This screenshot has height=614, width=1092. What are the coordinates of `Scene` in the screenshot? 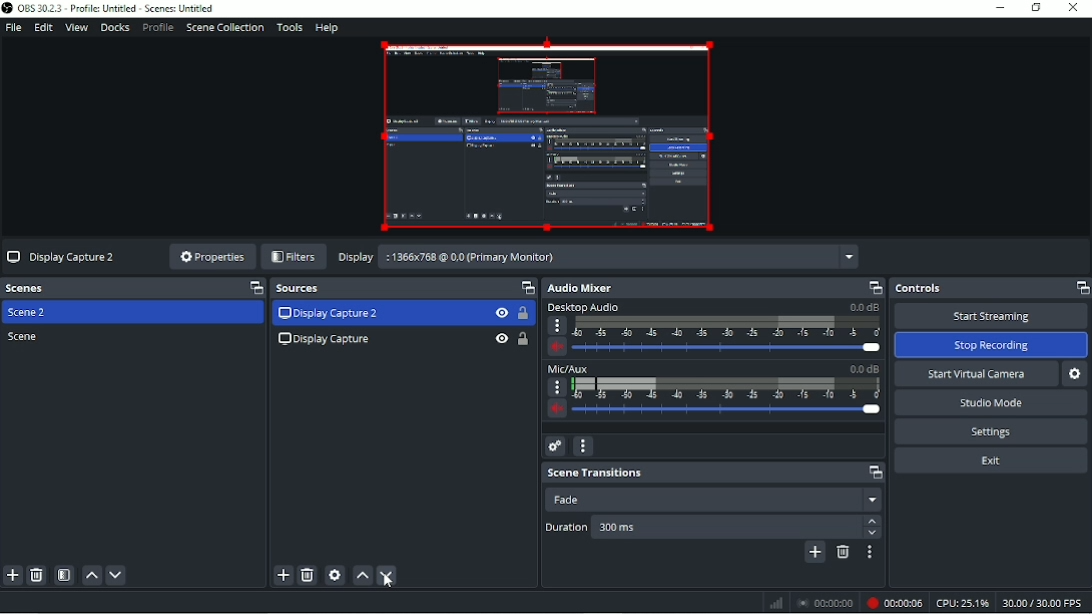 It's located at (27, 337).